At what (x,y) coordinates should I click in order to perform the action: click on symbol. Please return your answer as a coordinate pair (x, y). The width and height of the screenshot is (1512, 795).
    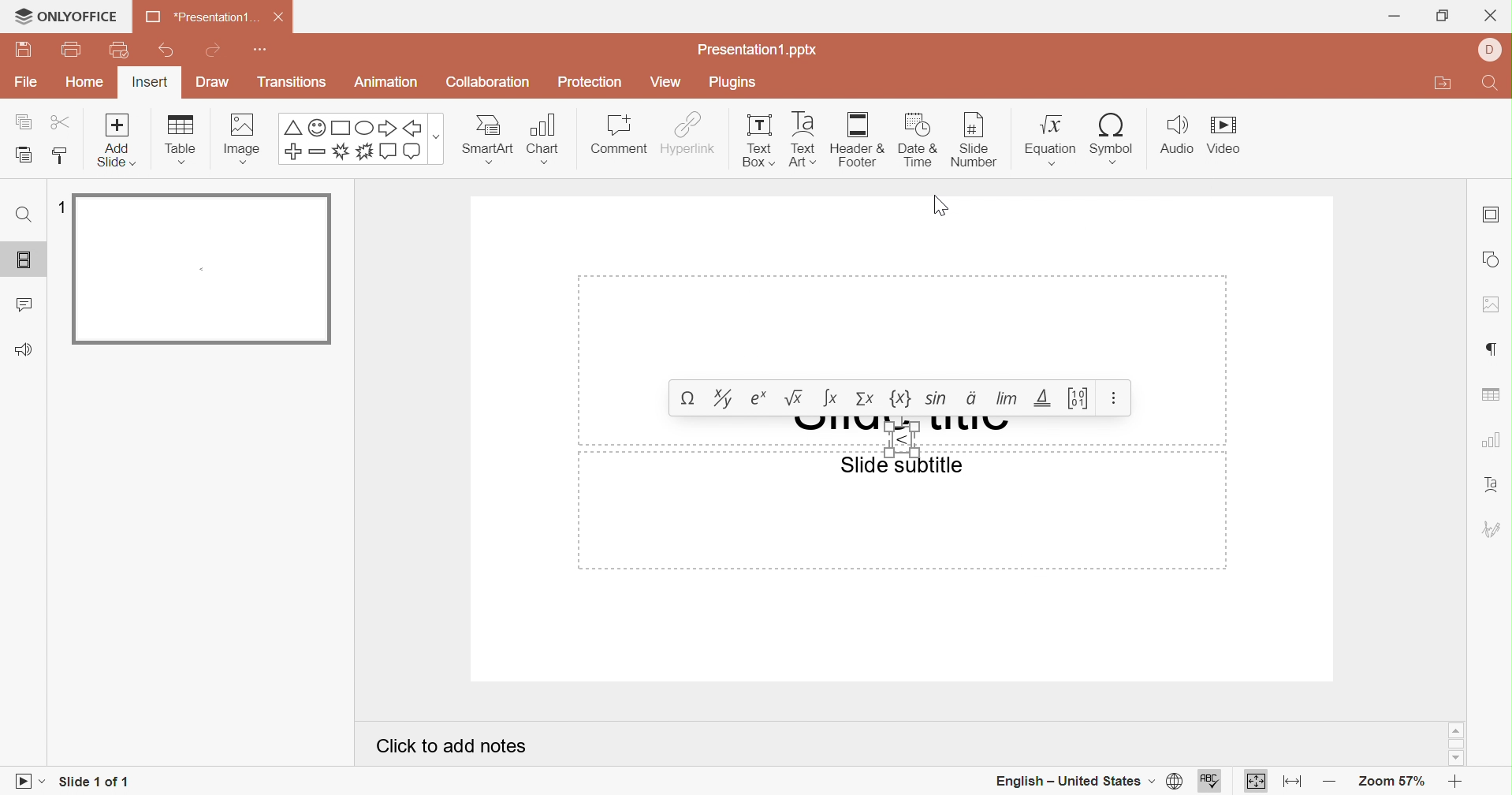
    Looking at the image, I should click on (901, 441).